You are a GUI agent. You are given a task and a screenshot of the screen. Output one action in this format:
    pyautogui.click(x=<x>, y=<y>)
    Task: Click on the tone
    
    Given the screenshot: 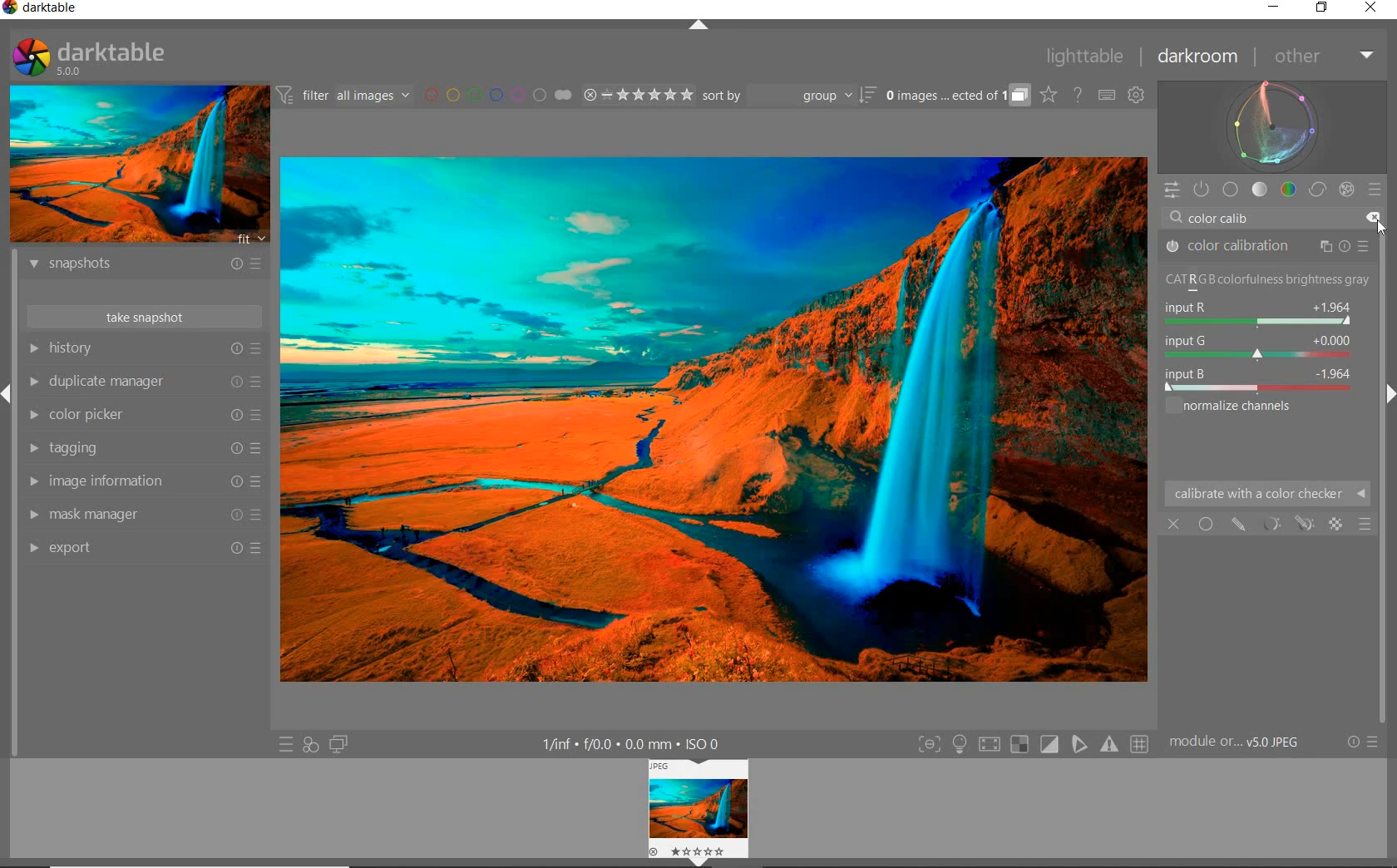 What is the action you would take?
    pyautogui.click(x=1260, y=190)
    